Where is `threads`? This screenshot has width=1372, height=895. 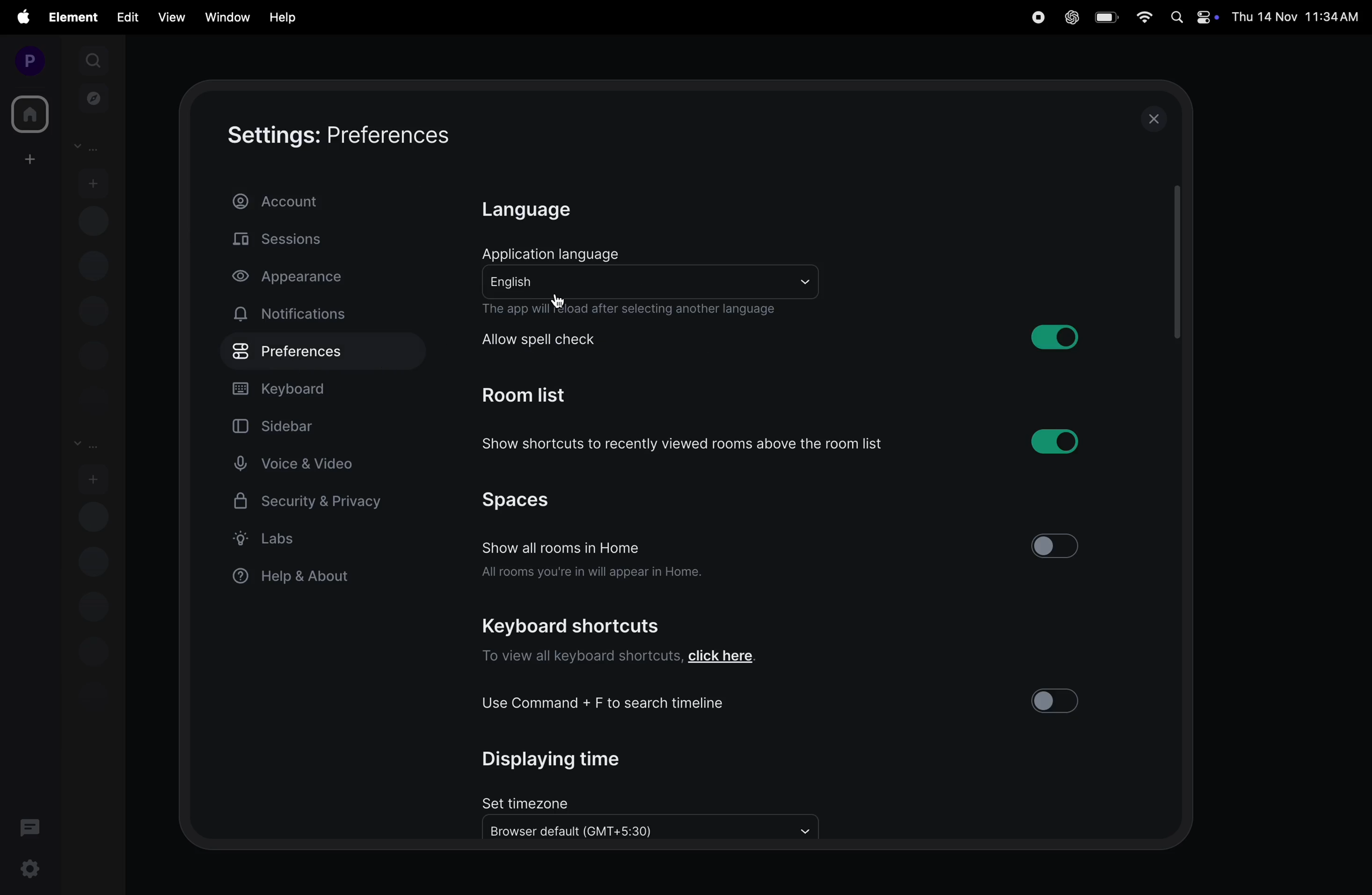
threads is located at coordinates (31, 825).